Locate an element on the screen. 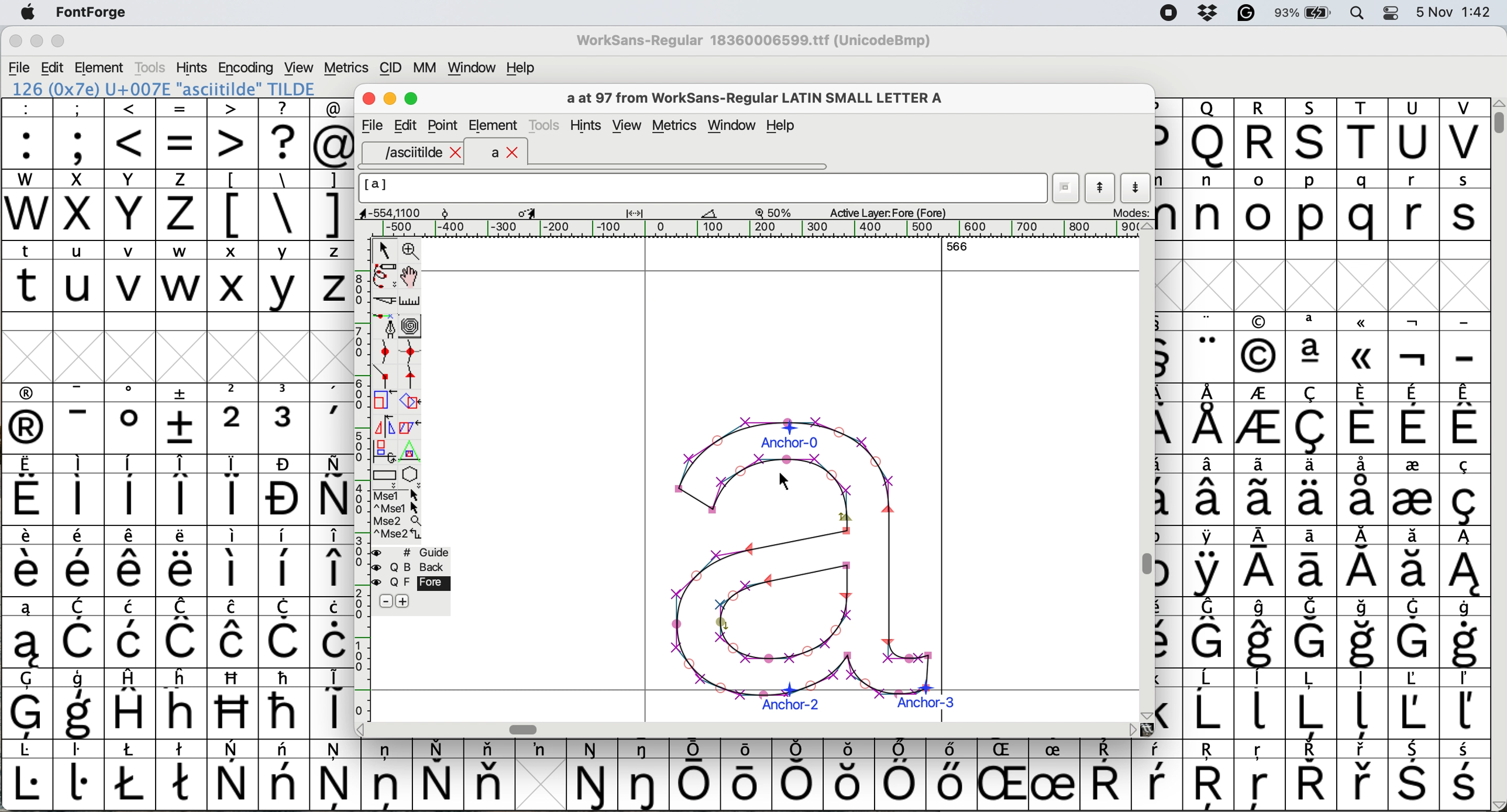  Minimise is located at coordinates (391, 99).